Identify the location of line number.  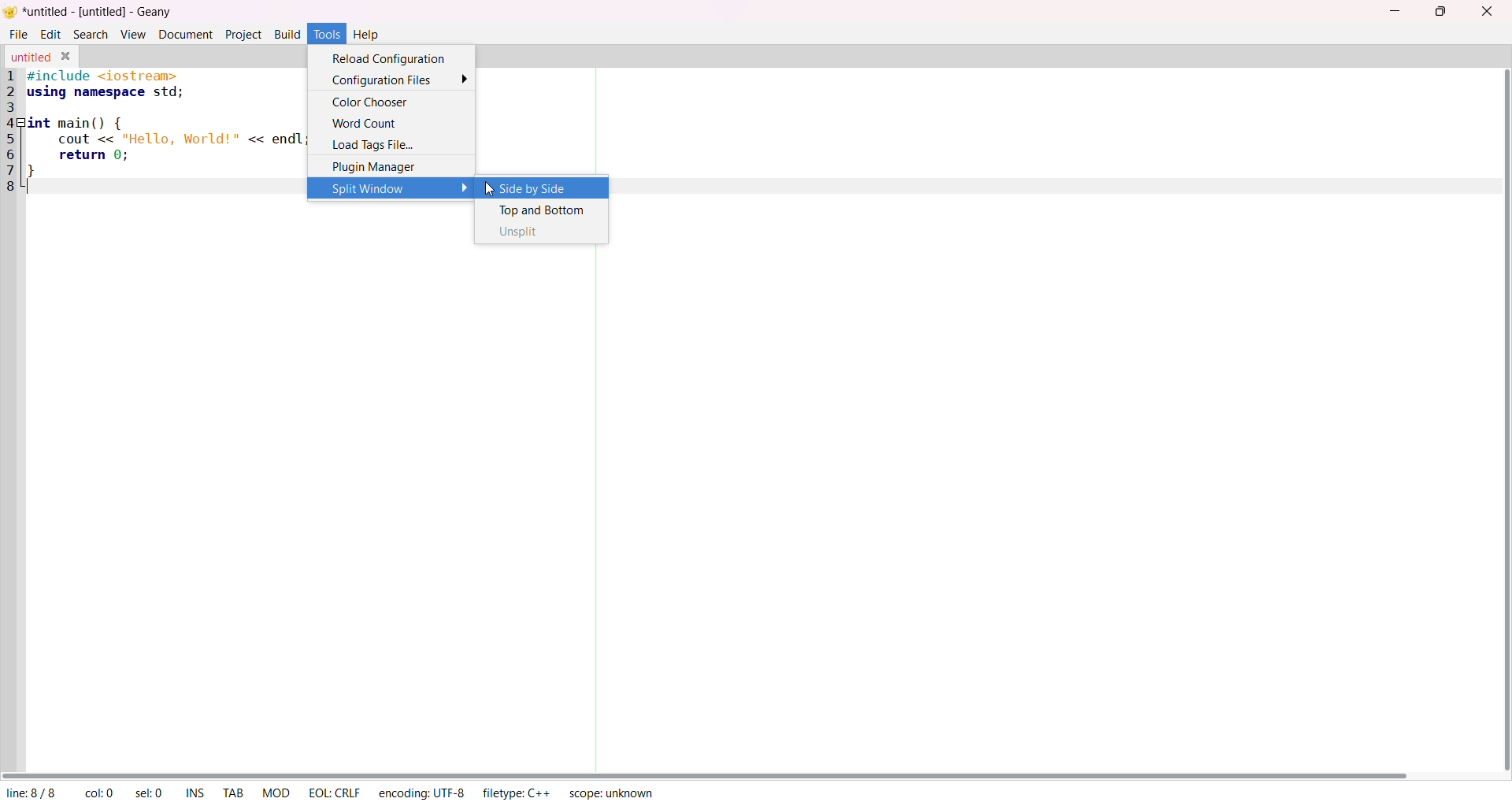
(15, 133).